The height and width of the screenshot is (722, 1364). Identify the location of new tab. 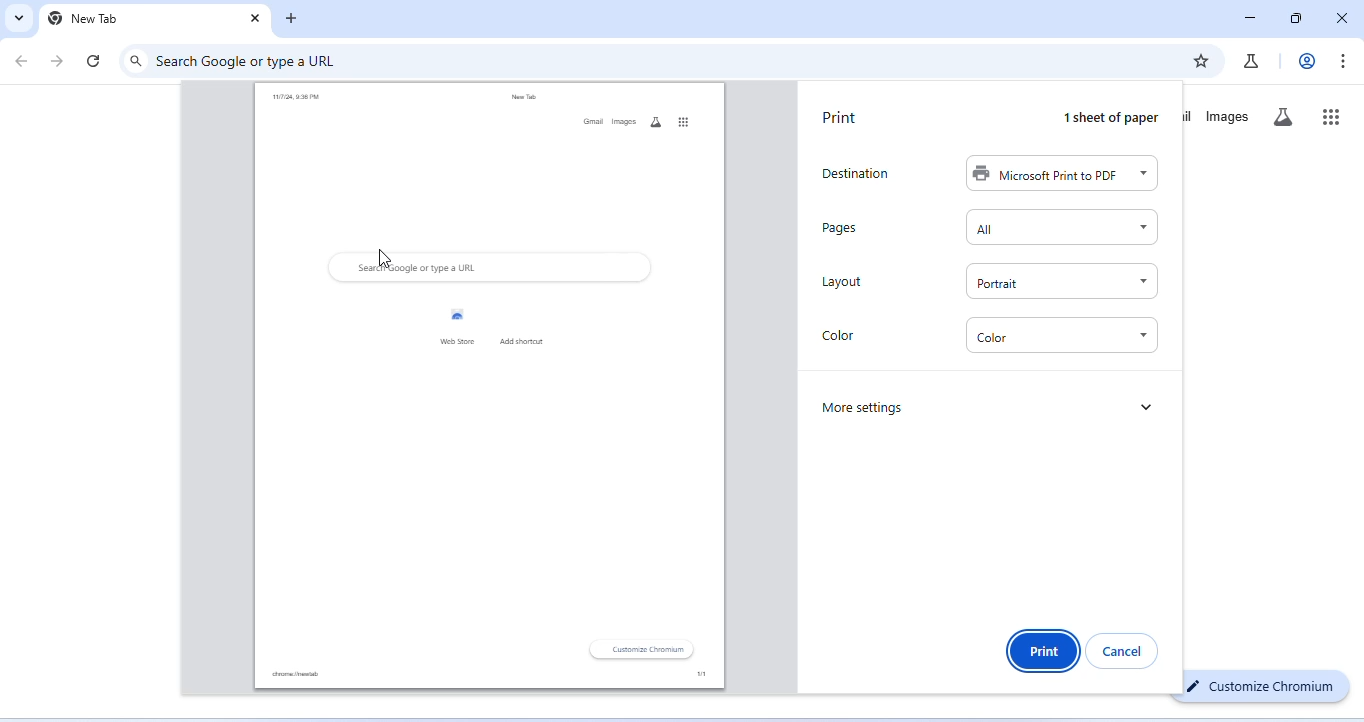
(84, 19).